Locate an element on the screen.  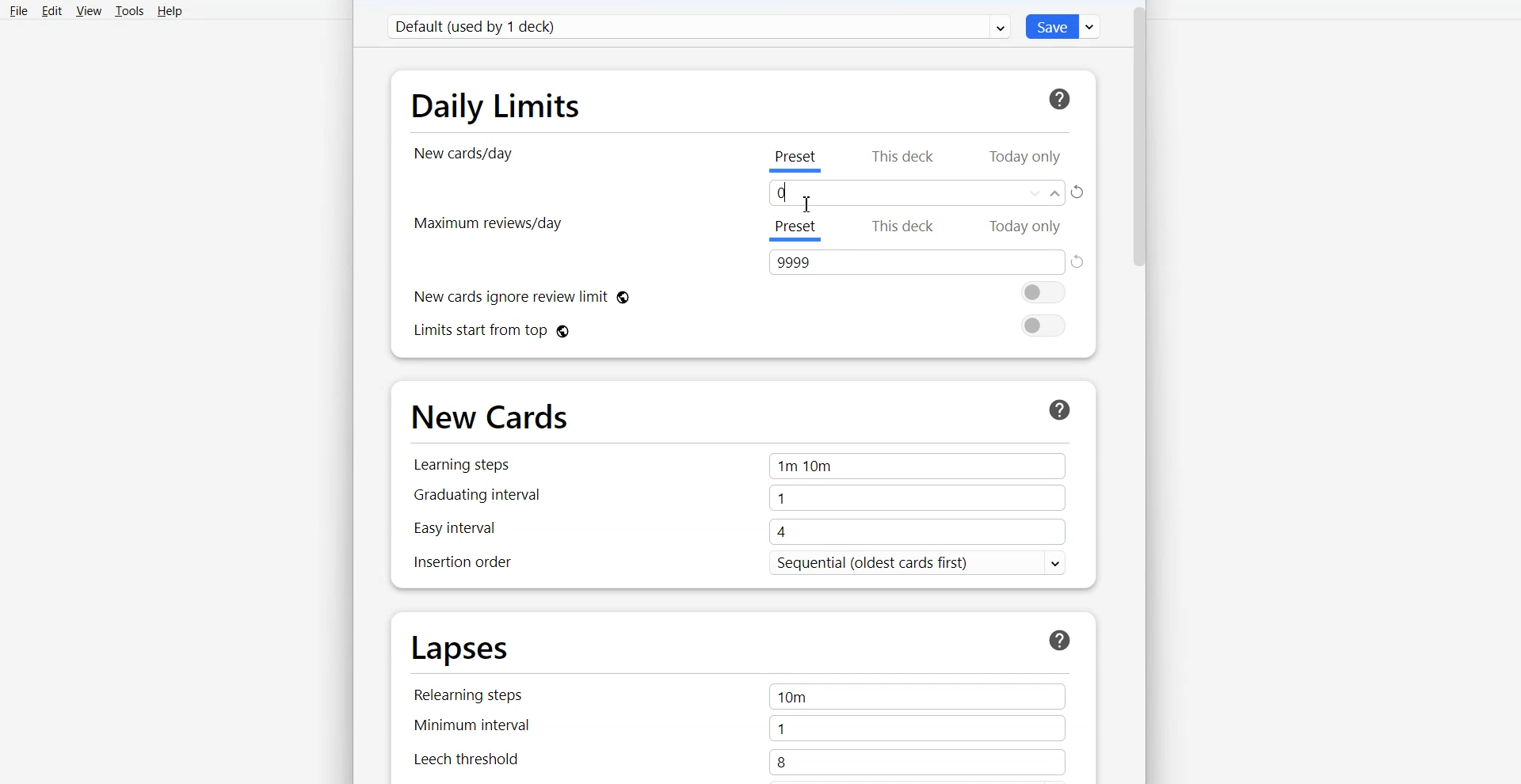
Help is located at coordinates (168, 11).